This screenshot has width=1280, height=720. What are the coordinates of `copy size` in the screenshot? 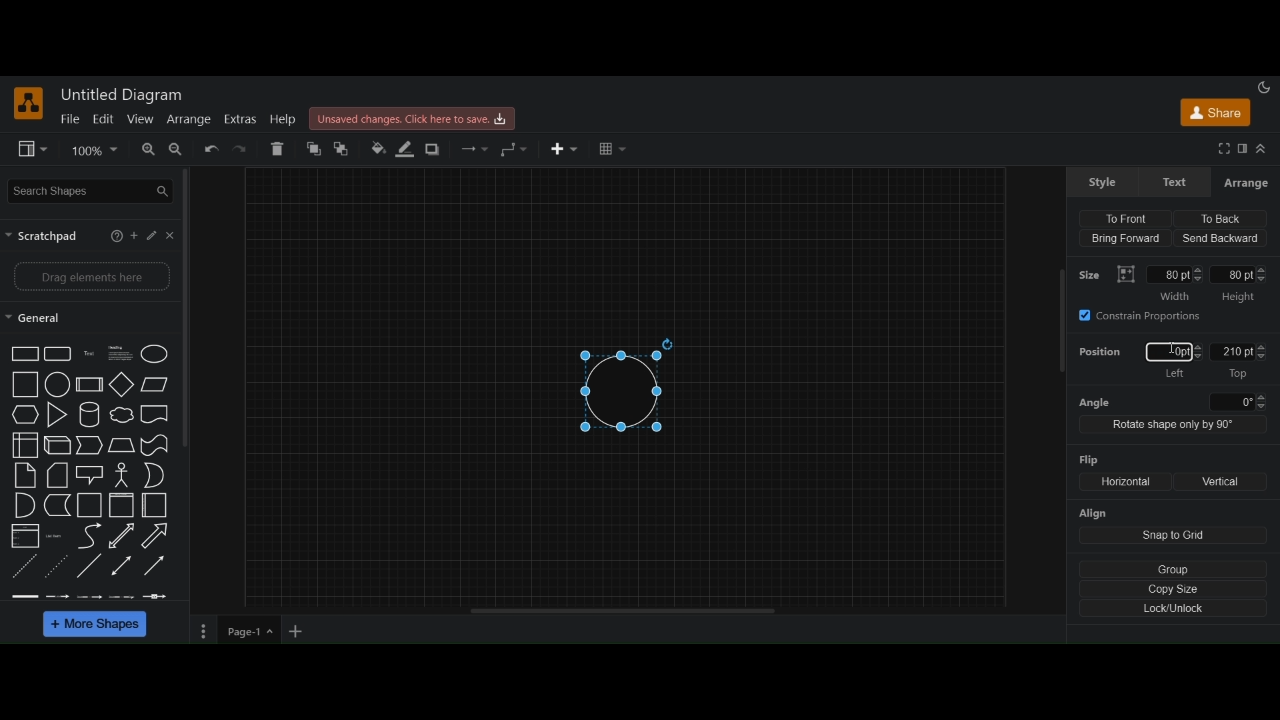 It's located at (1175, 588).